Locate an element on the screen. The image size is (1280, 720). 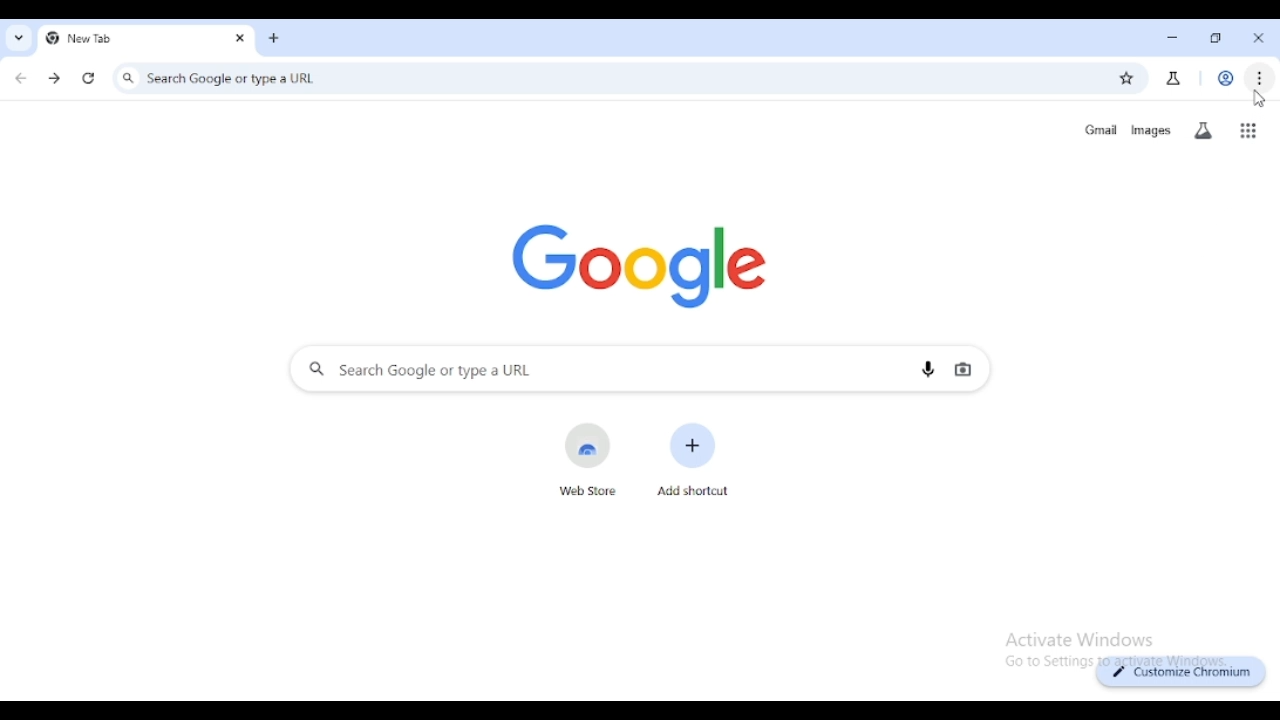
images is located at coordinates (1150, 131).